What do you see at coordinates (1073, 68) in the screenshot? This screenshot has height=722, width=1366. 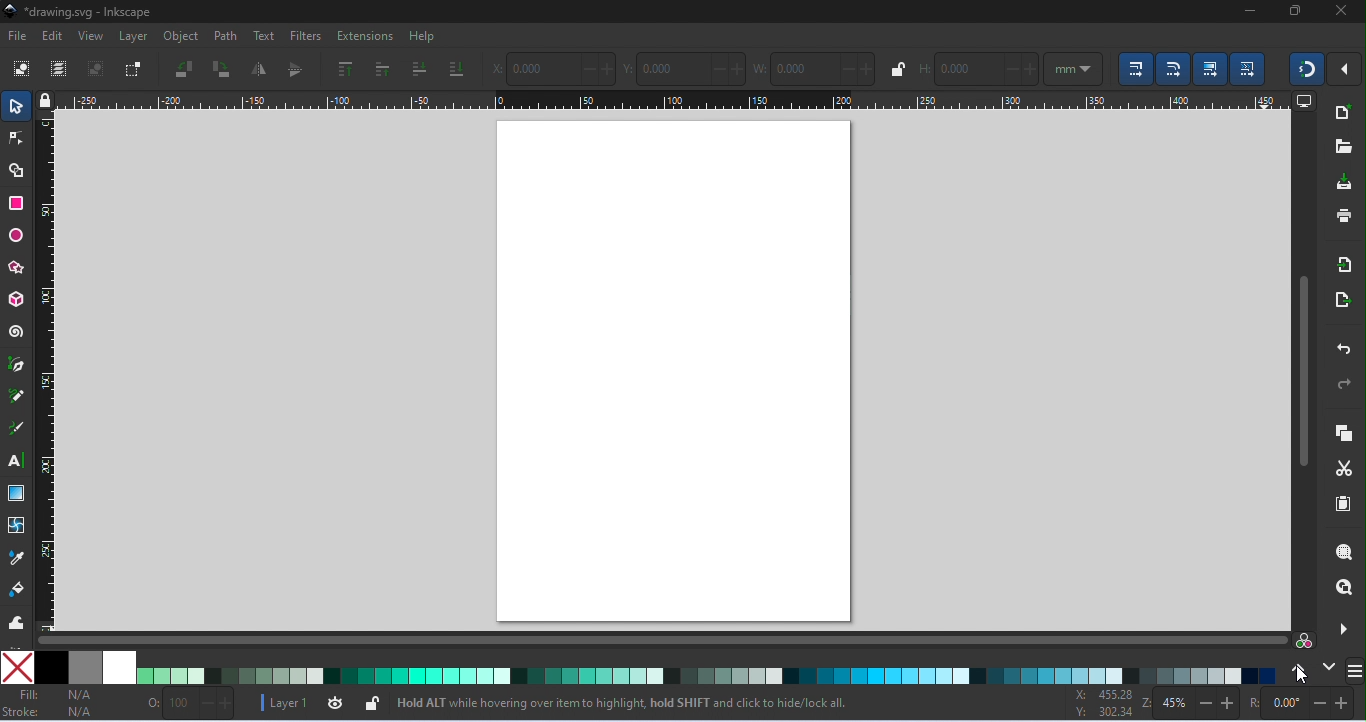 I see `select object parameters` at bounding box center [1073, 68].